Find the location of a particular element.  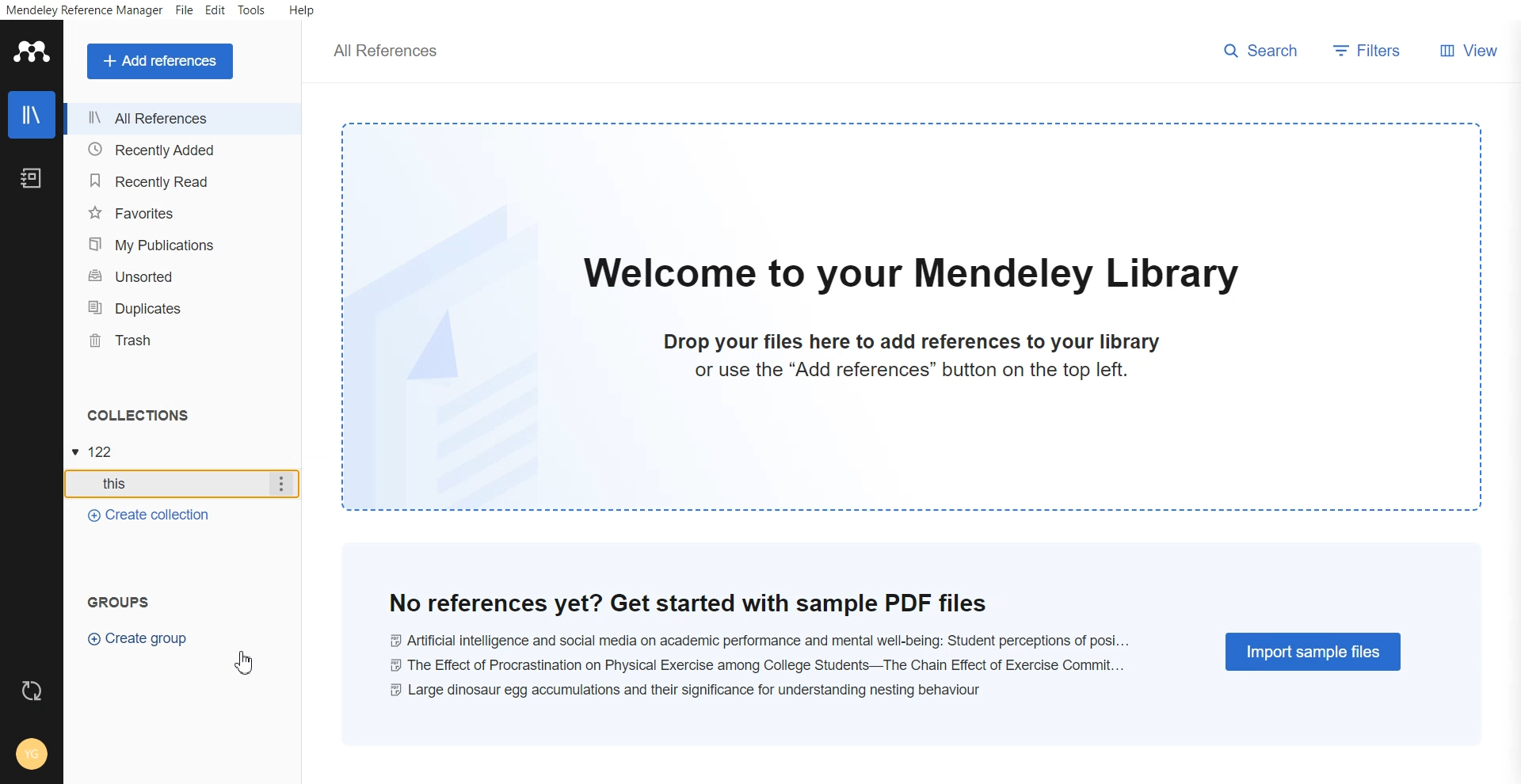

Library is located at coordinates (32, 115).